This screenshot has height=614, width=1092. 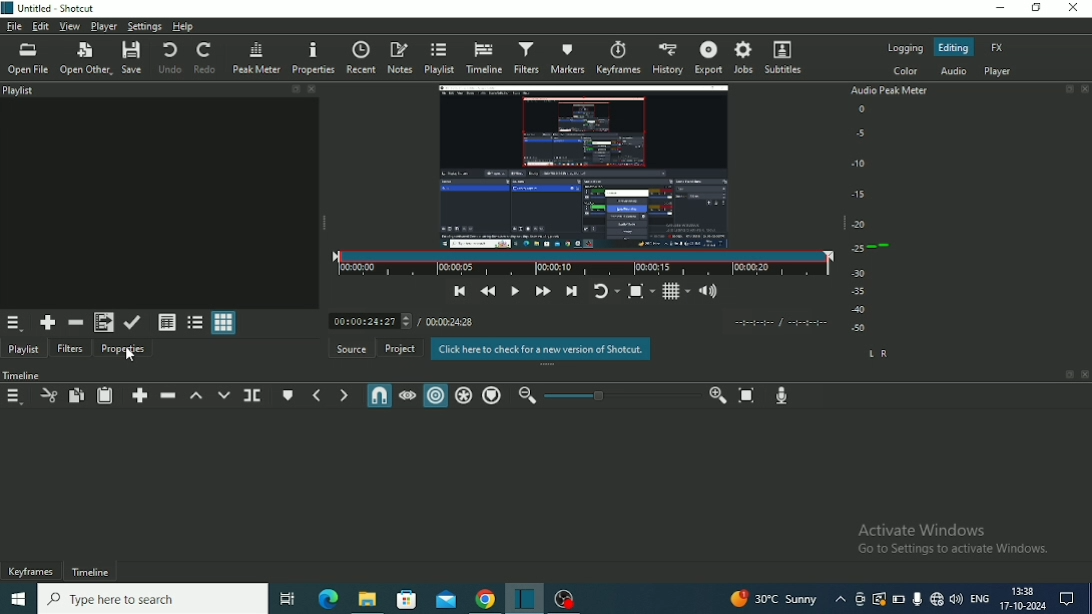 I want to click on Play quickly forwards, so click(x=543, y=291).